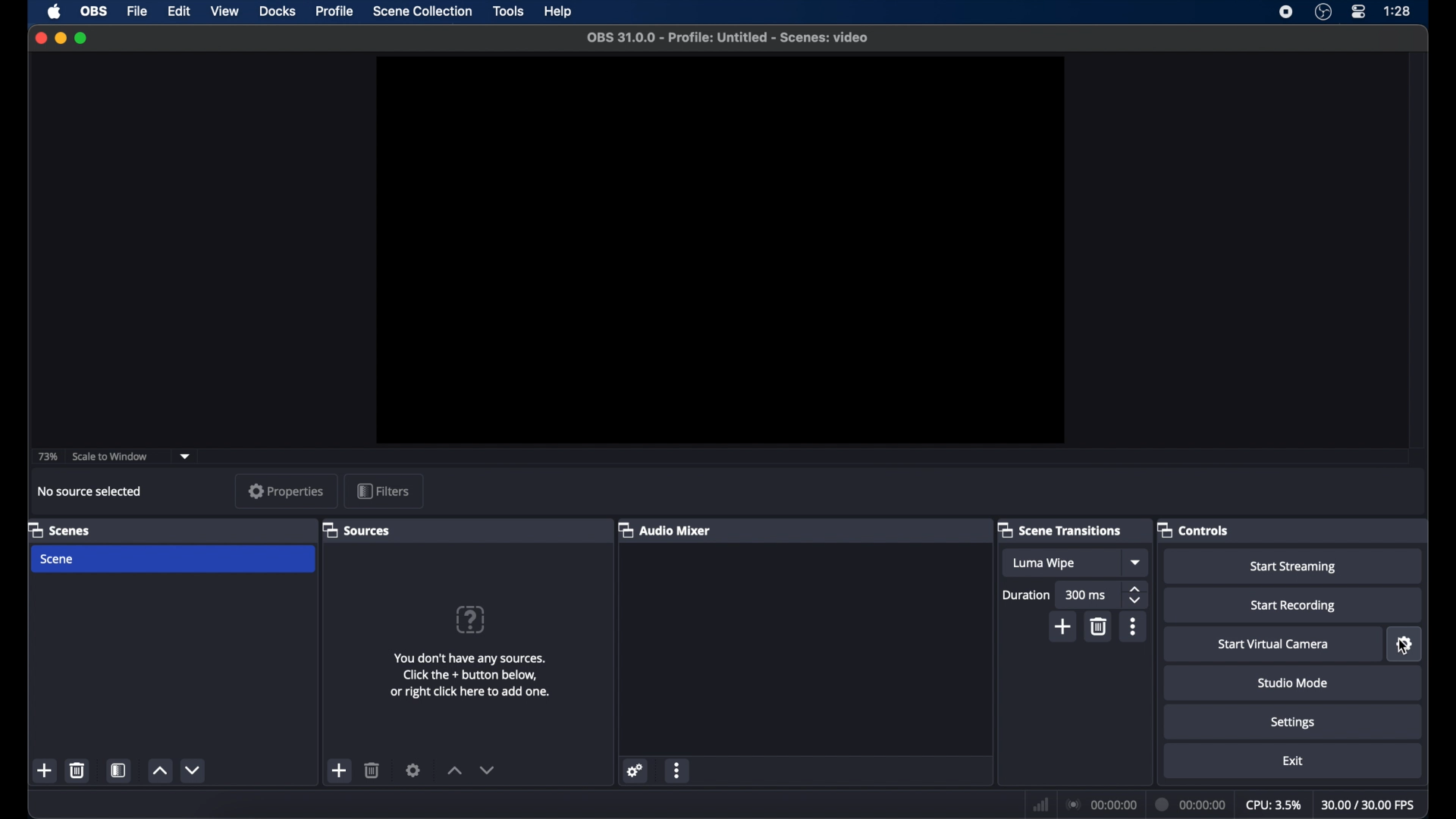  Describe the element at coordinates (1293, 566) in the screenshot. I see `start streaming` at that location.